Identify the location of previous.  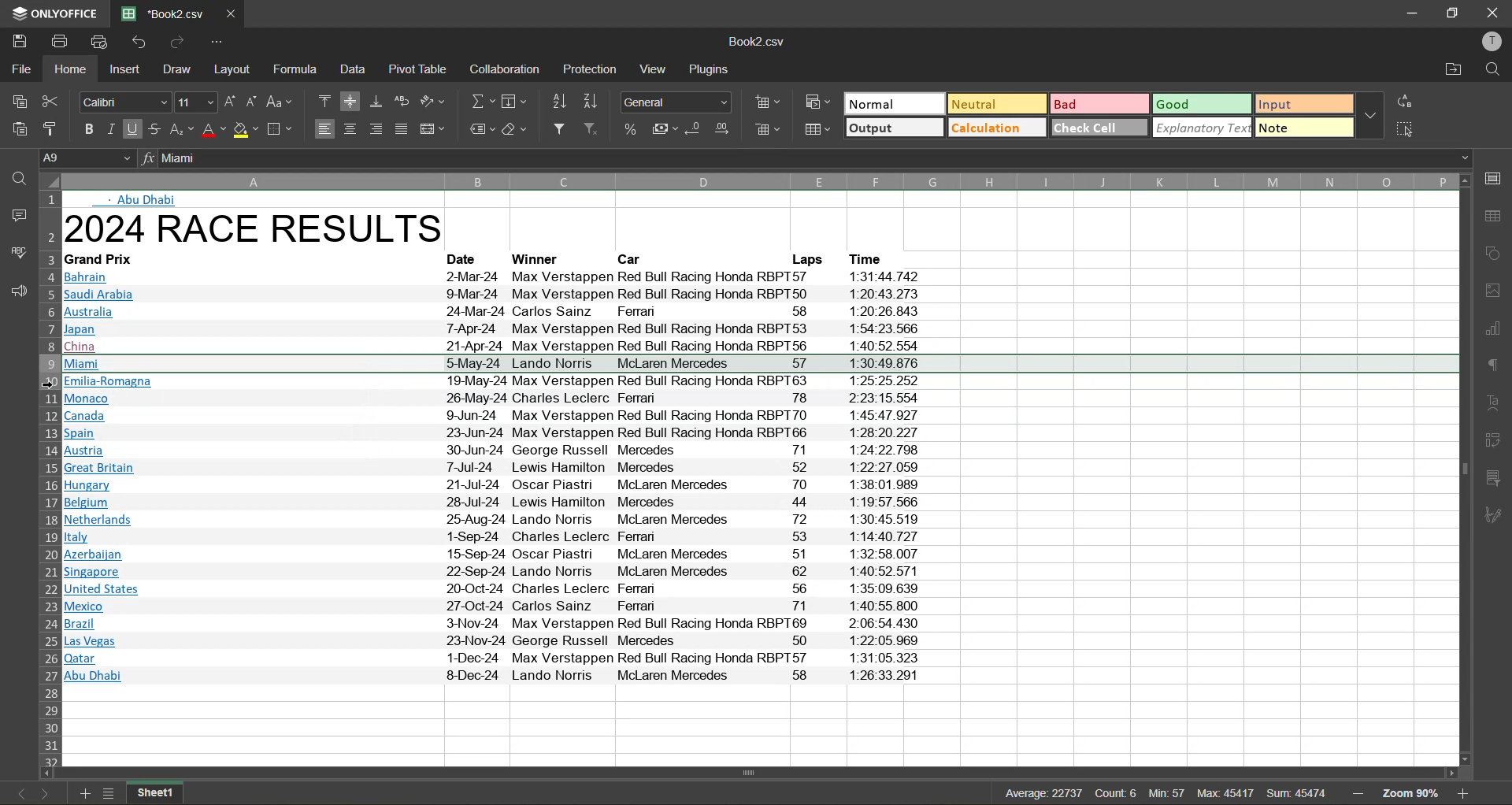
(13, 794).